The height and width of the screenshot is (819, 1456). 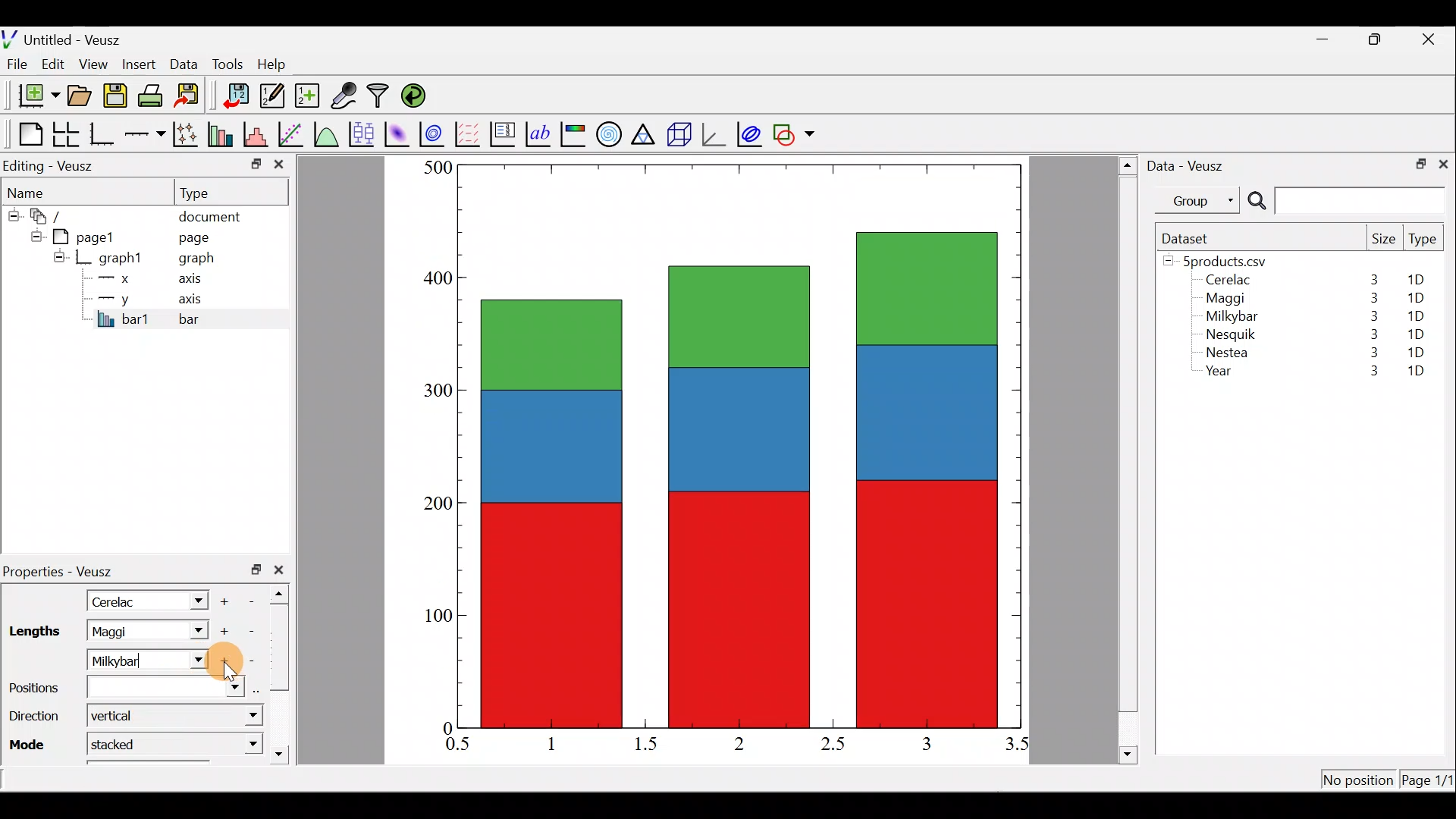 What do you see at coordinates (1225, 281) in the screenshot?
I see `Cerelac` at bounding box center [1225, 281].